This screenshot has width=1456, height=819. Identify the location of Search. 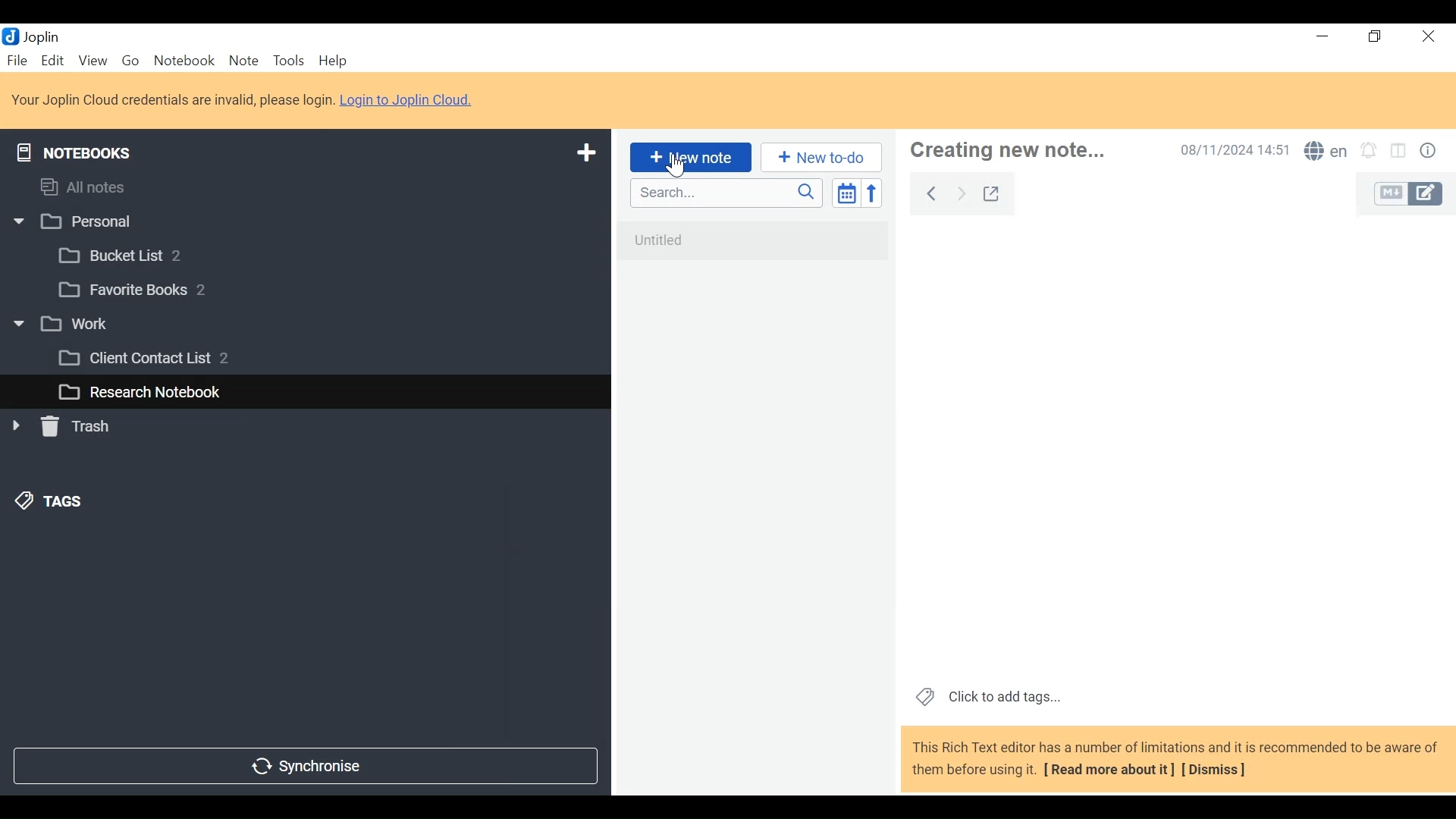
(724, 193).